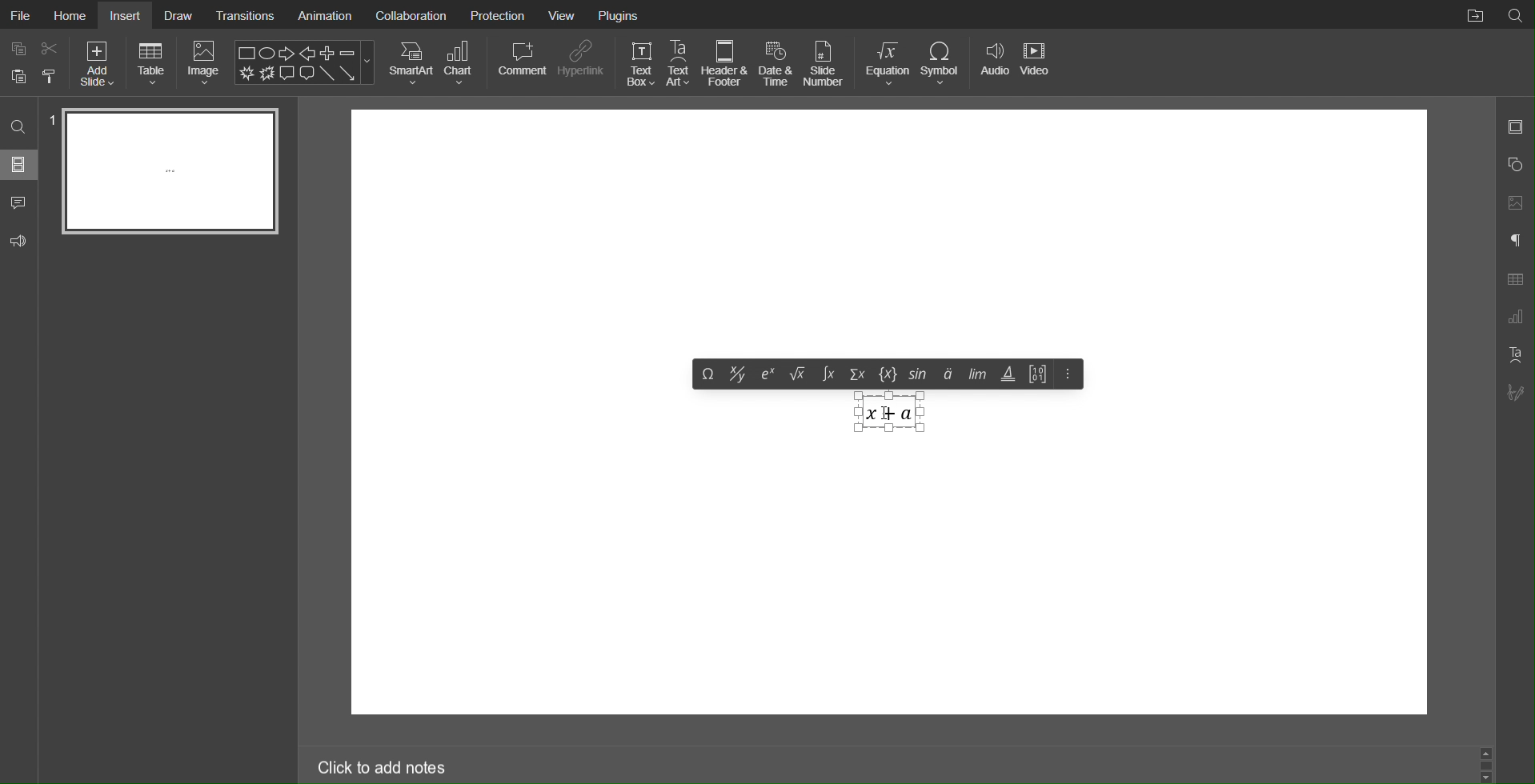 Image resolution: width=1535 pixels, height=784 pixels. What do you see at coordinates (171, 171) in the screenshot?
I see `Slide 1` at bounding box center [171, 171].